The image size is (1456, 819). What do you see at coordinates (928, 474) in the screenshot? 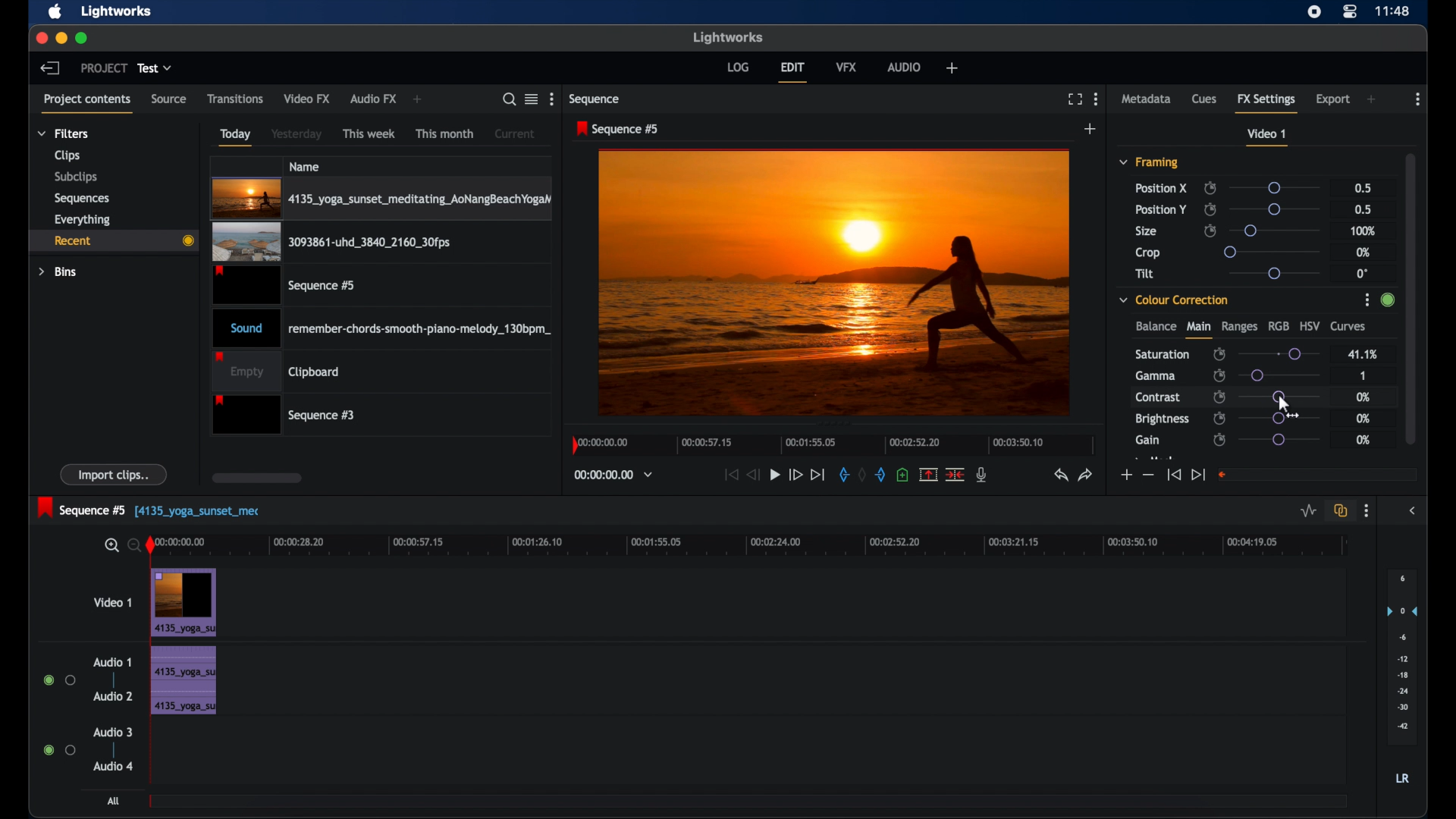
I see `split` at bounding box center [928, 474].